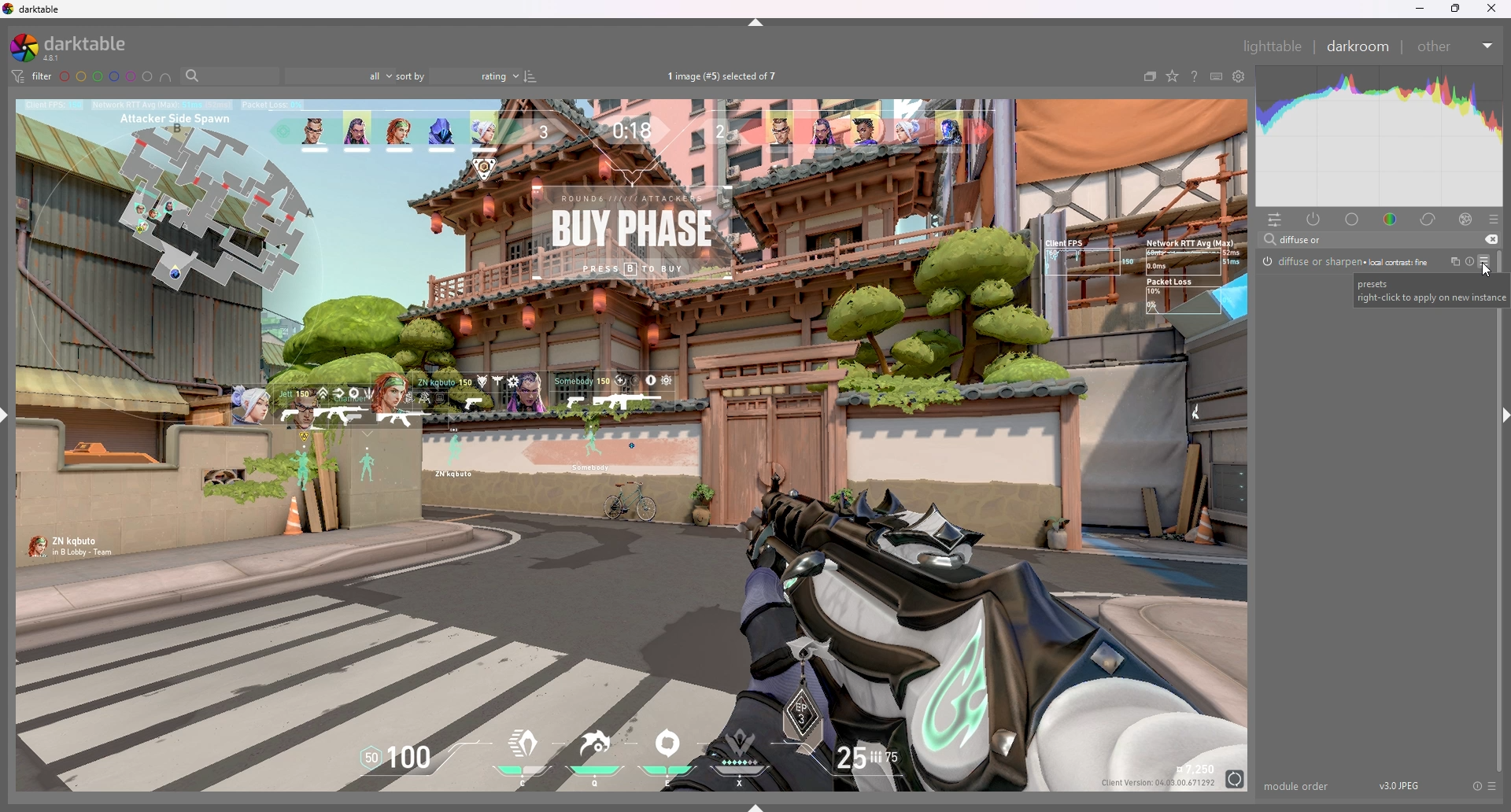  Describe the element at coordinates (1305, 239) in the screenshot. I see `input` at that location.